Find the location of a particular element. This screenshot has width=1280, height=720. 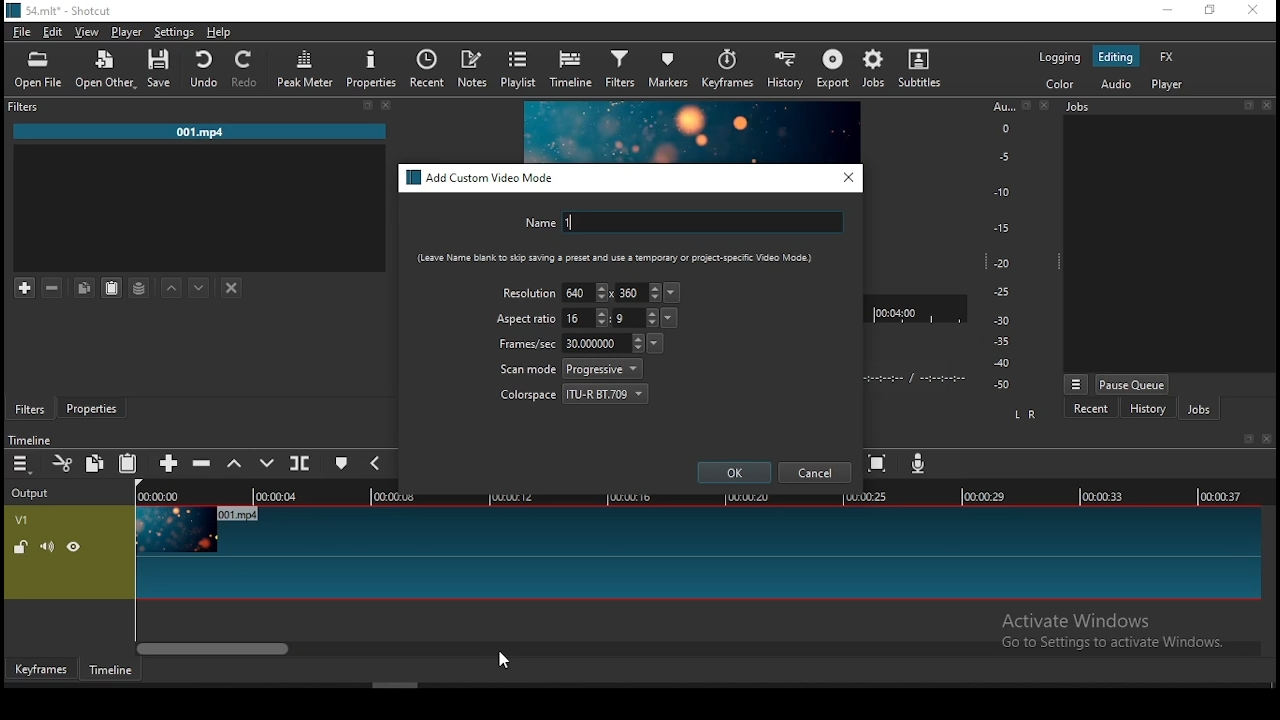

copy is located at coordinates (95, 462).